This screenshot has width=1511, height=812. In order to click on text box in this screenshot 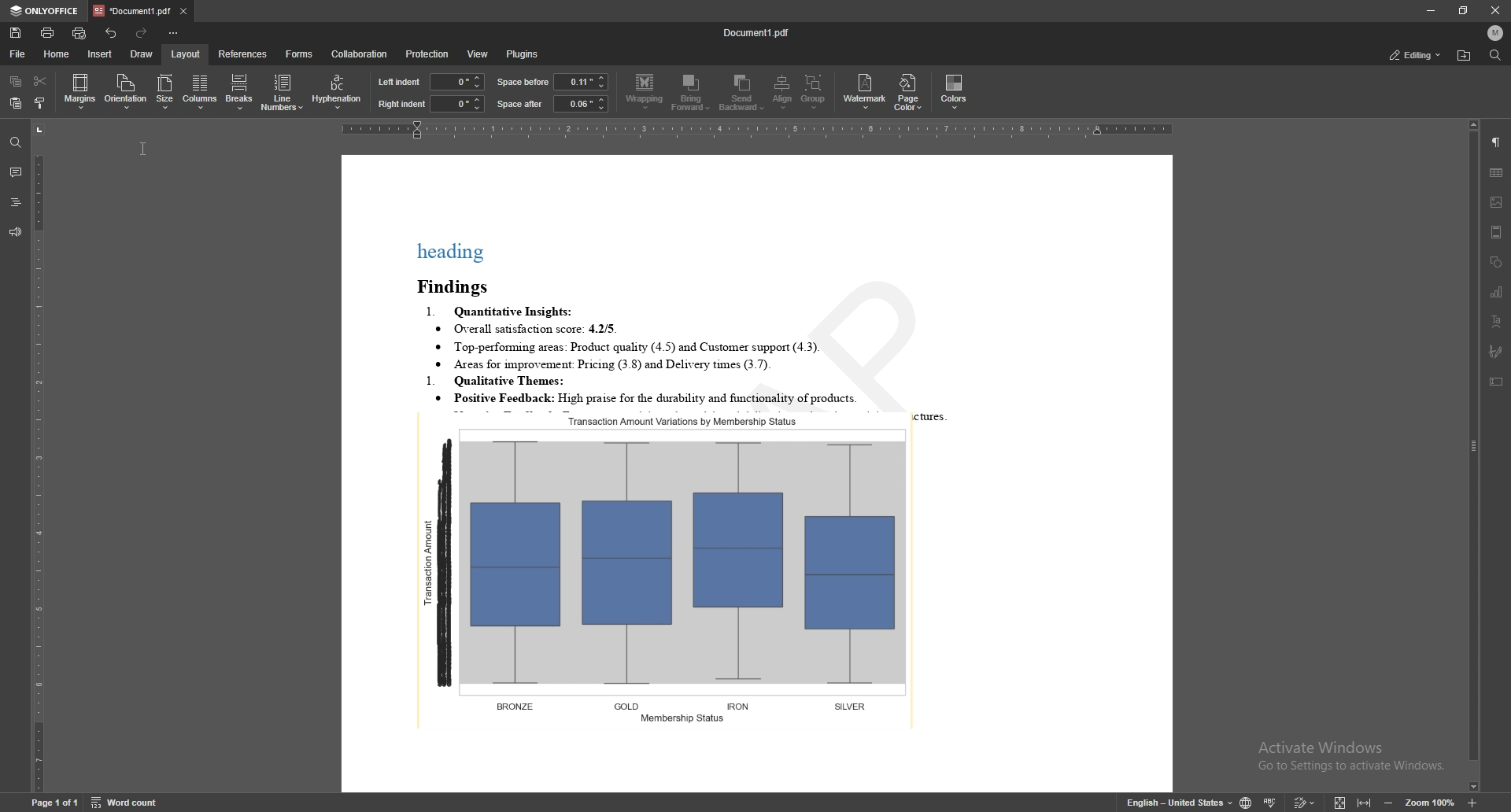, I will do `click(1496, 381)`.